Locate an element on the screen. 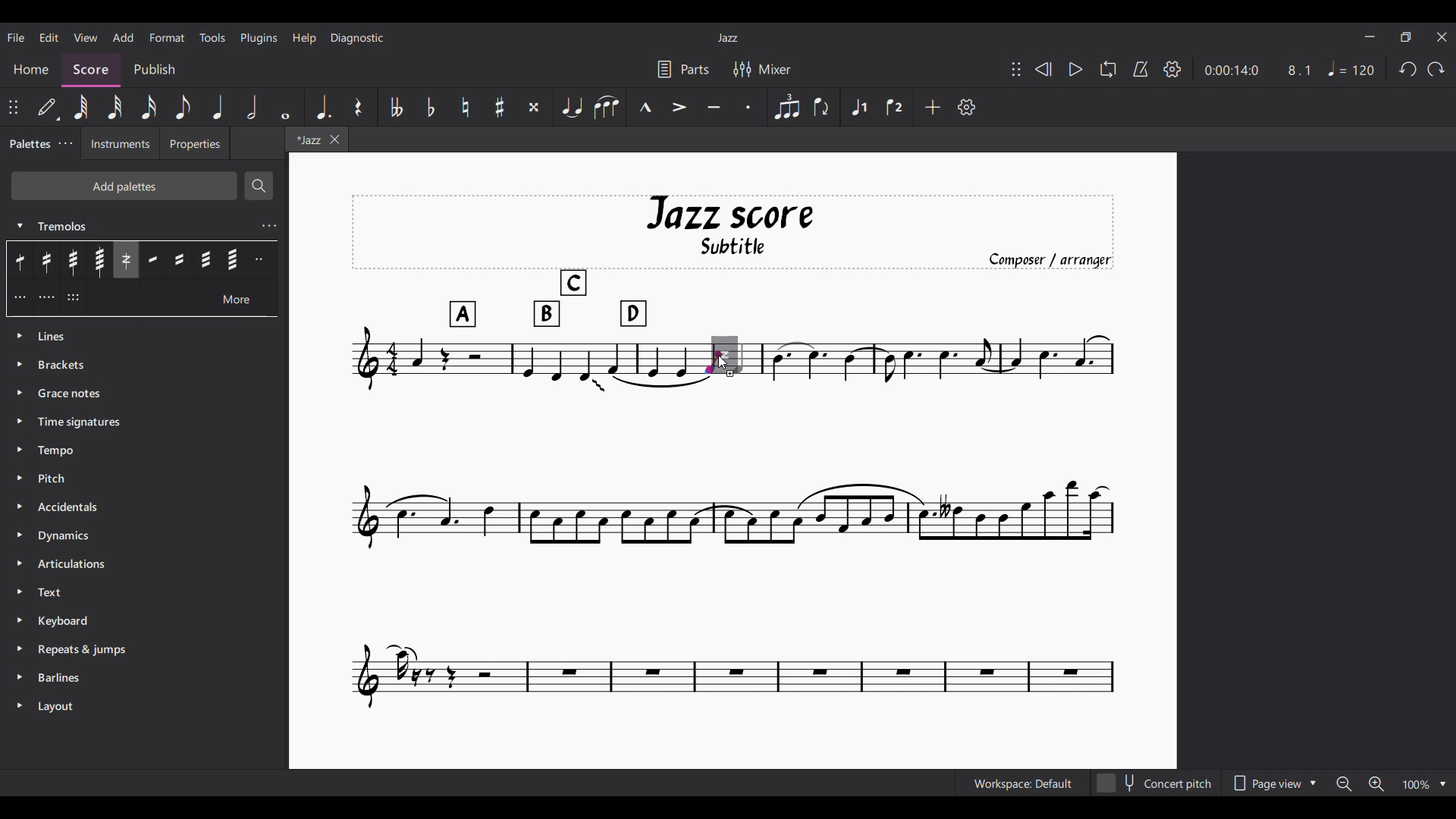 This screenshot has height=819, width=1456. Customize settings is located at coordinates (967, 107).